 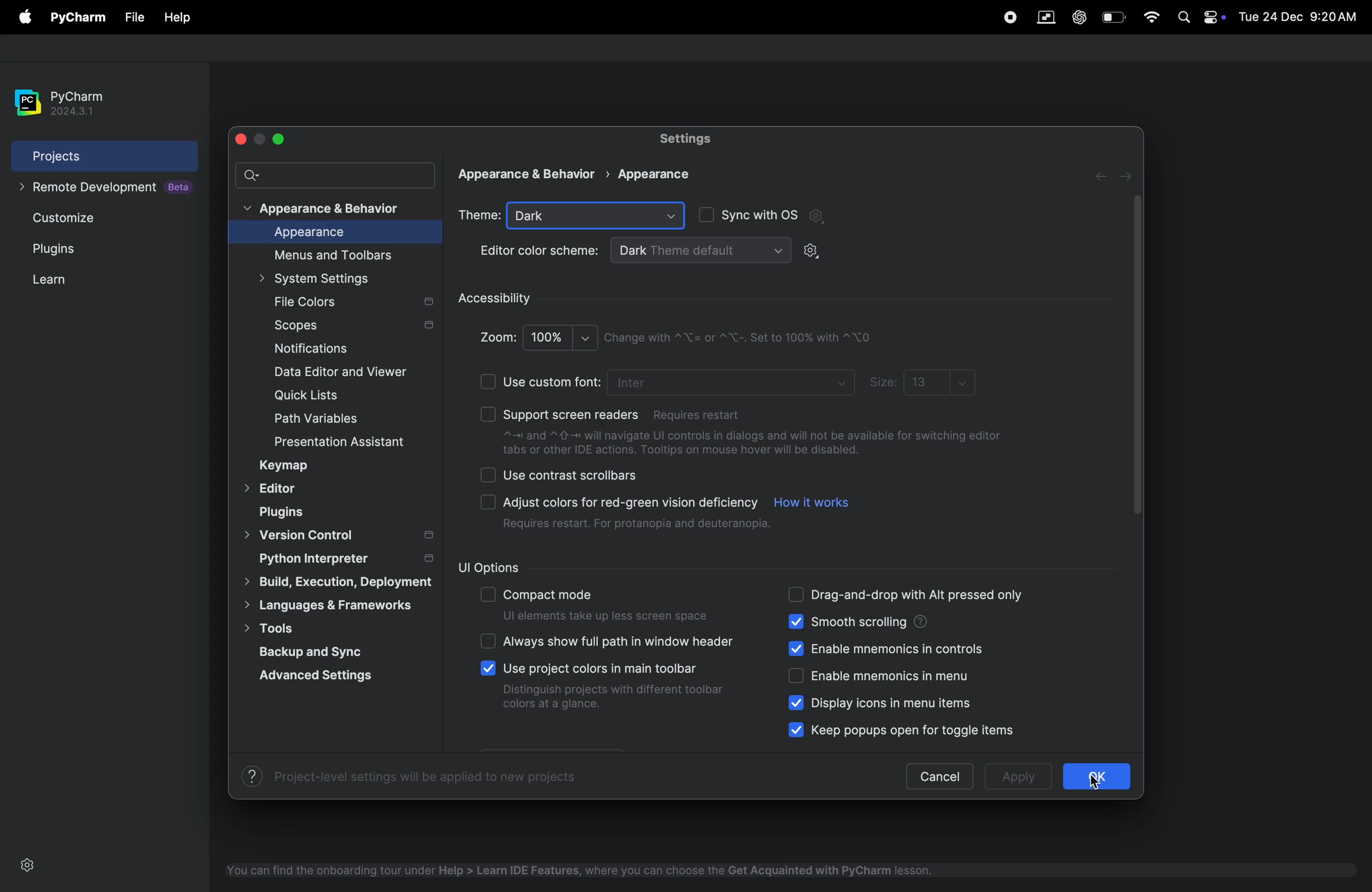 I want to click on project level setings, so click(x=411, y=776).